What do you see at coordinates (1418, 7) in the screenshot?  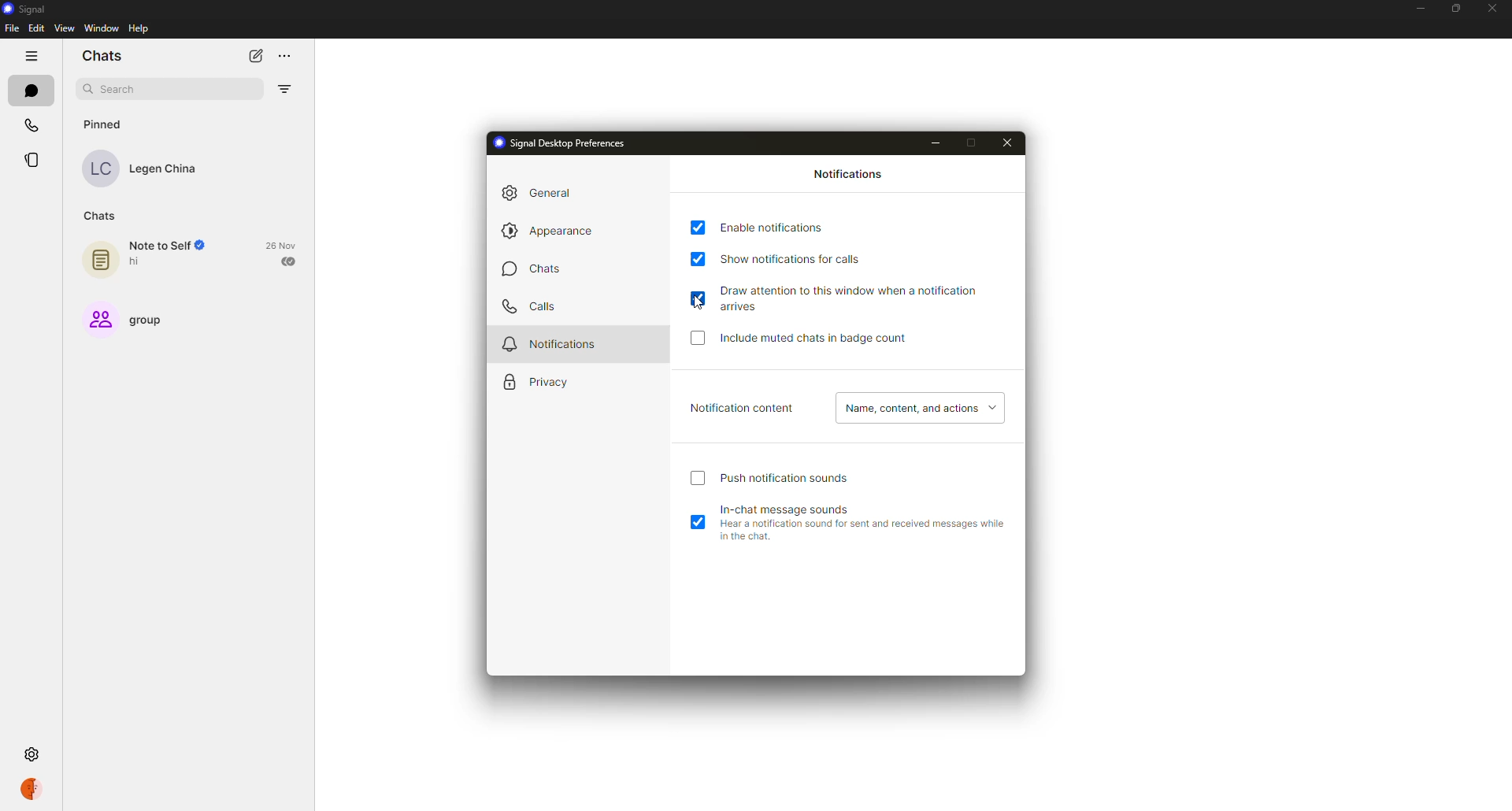 I see `minimize` at bounding box center [1418, 7].